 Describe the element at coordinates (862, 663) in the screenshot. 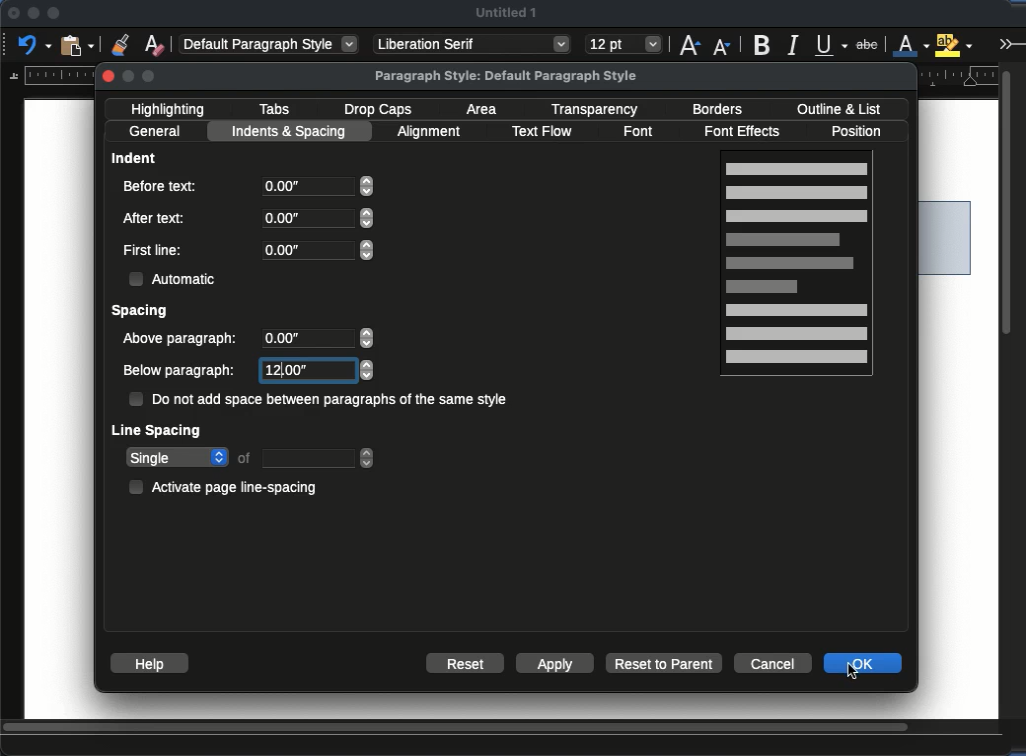

I see `ok` at that location.